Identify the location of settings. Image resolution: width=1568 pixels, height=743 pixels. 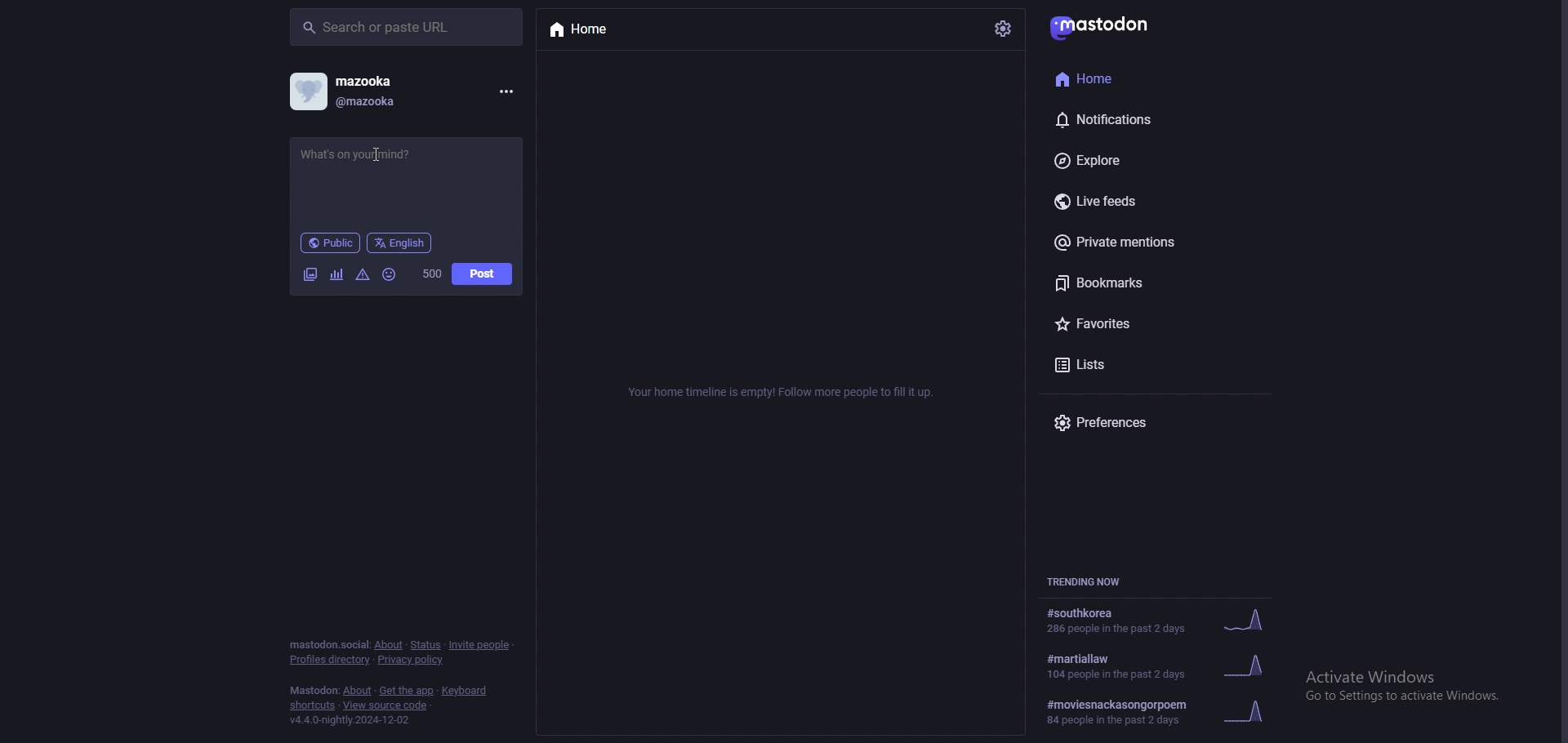
(1004, 29).